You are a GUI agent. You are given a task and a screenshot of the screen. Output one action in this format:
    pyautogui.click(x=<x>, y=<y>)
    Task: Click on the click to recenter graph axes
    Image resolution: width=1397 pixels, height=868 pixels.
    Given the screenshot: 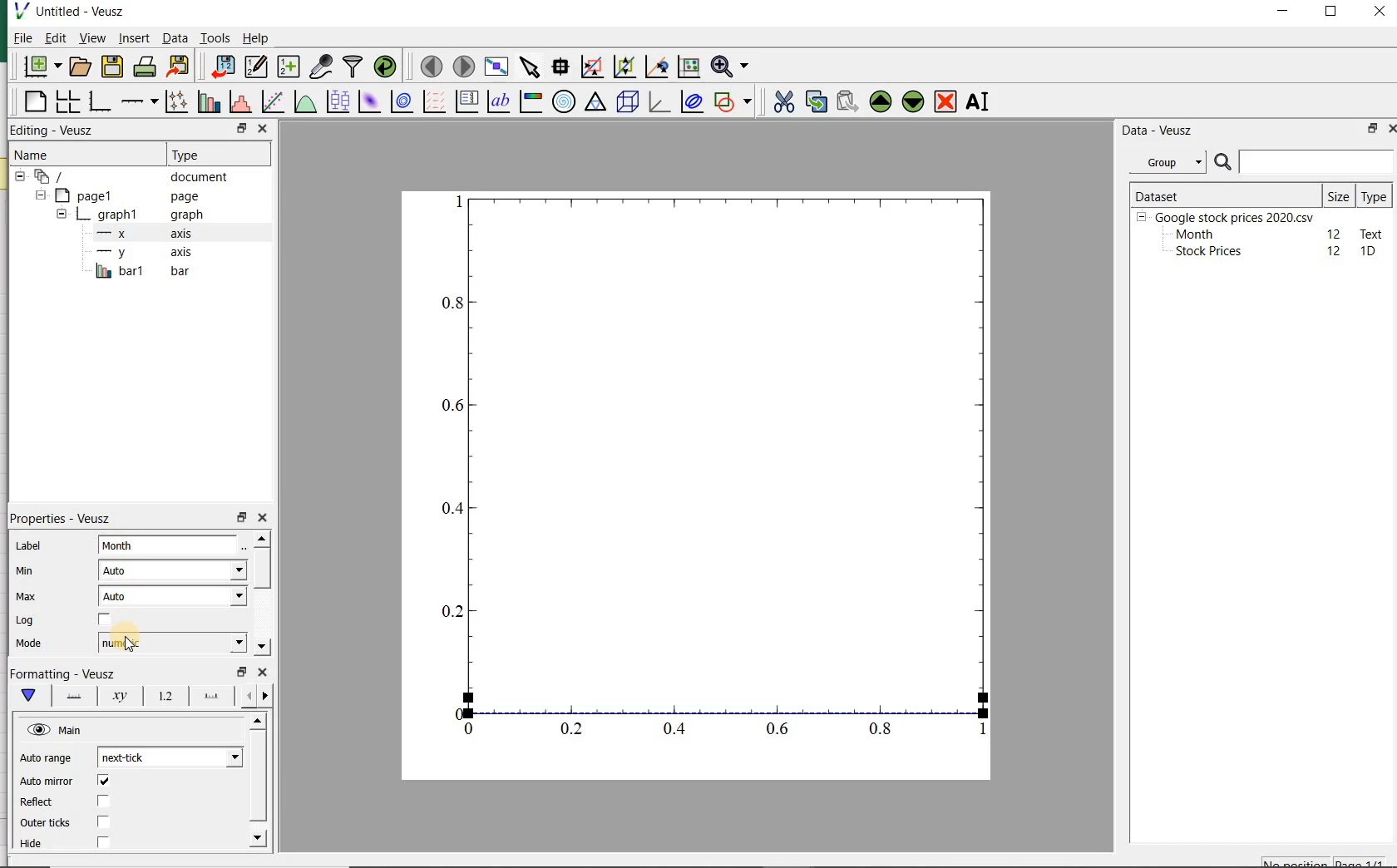 What is the action you would take?
    pyautogui.click(x=654, y=67)
    